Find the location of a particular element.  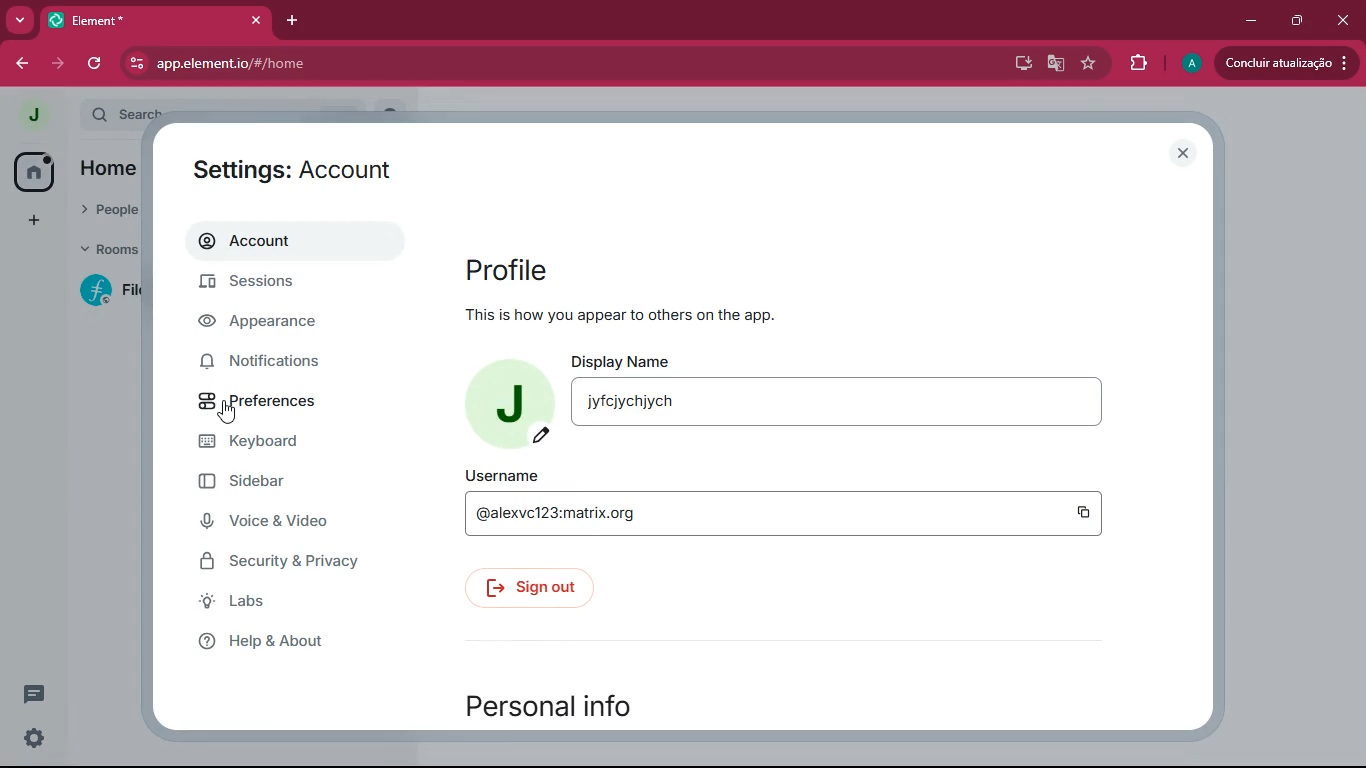

settings: accounts is located at coordinates (286, 168).